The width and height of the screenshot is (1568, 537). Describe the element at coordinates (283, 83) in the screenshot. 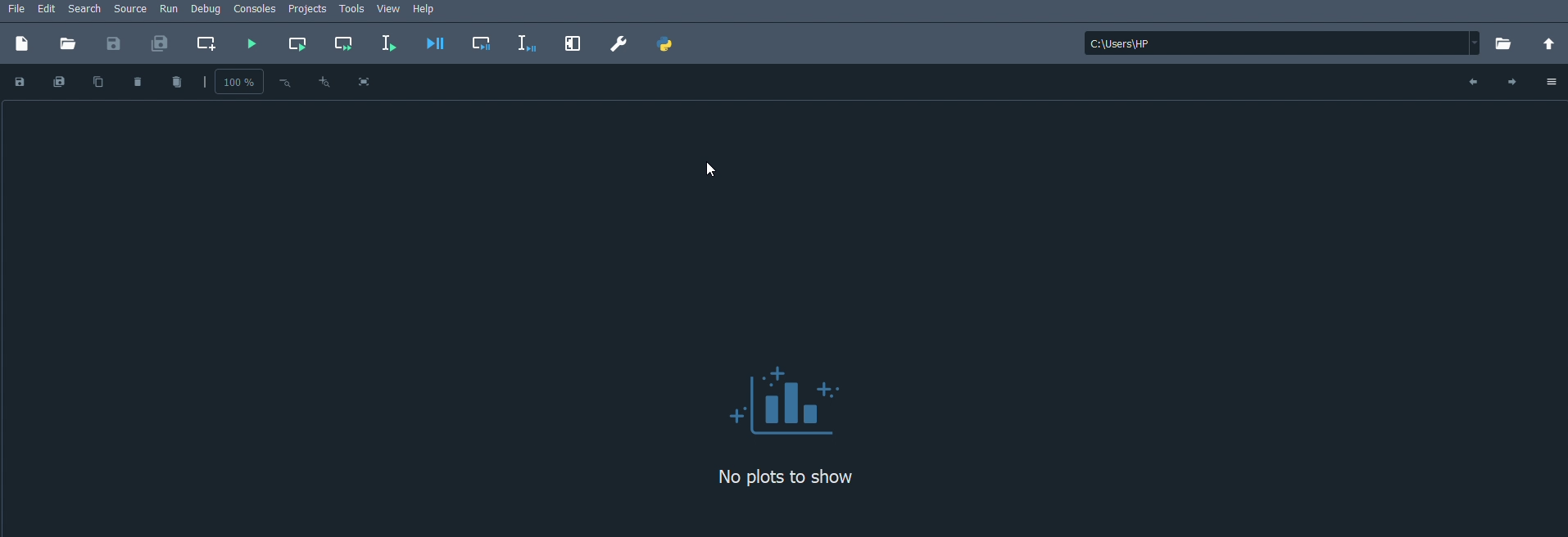

I see `zoom out` at that location.